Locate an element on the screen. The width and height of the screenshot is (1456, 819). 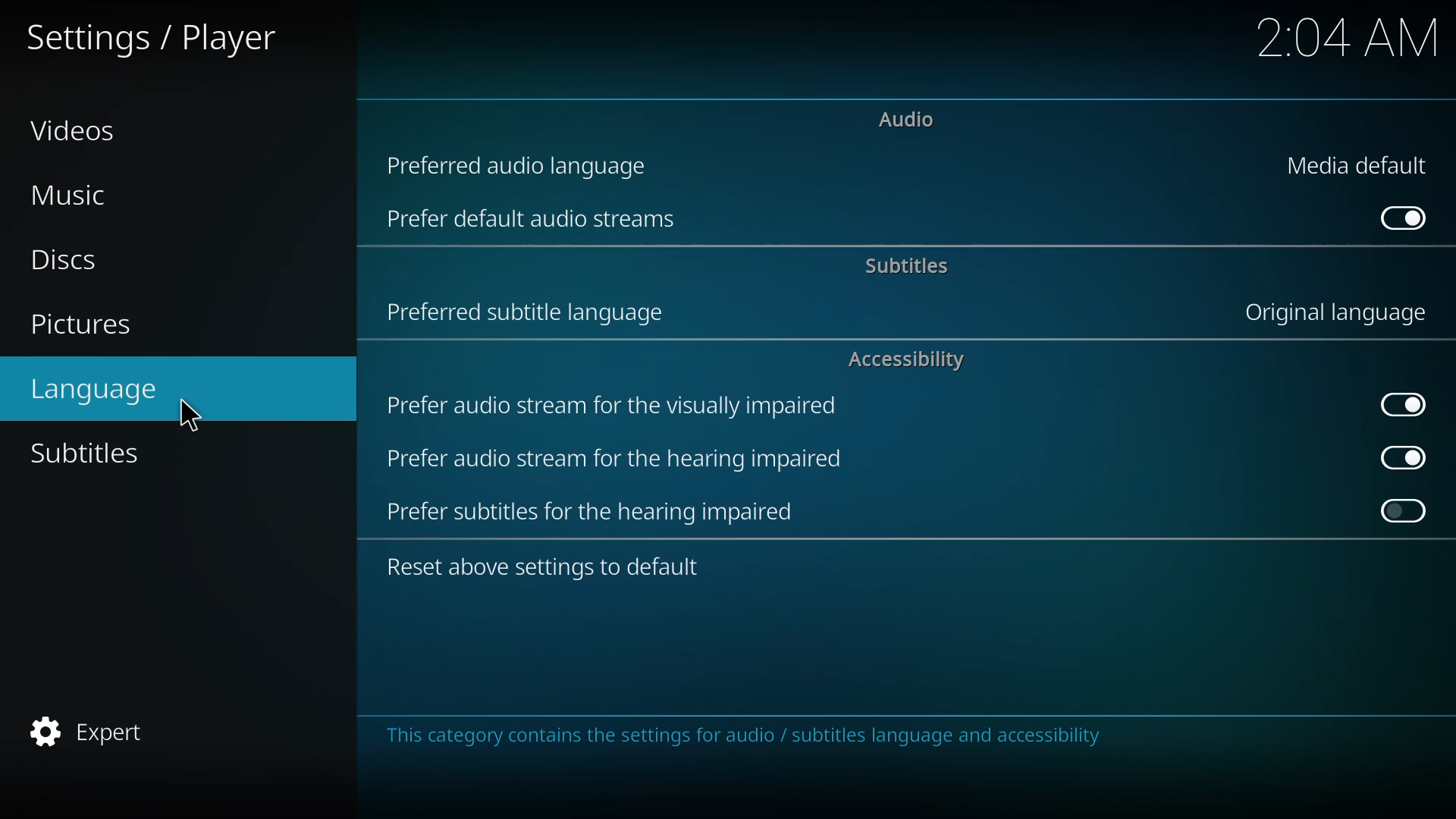
expert is located at coordinates (99, 730).